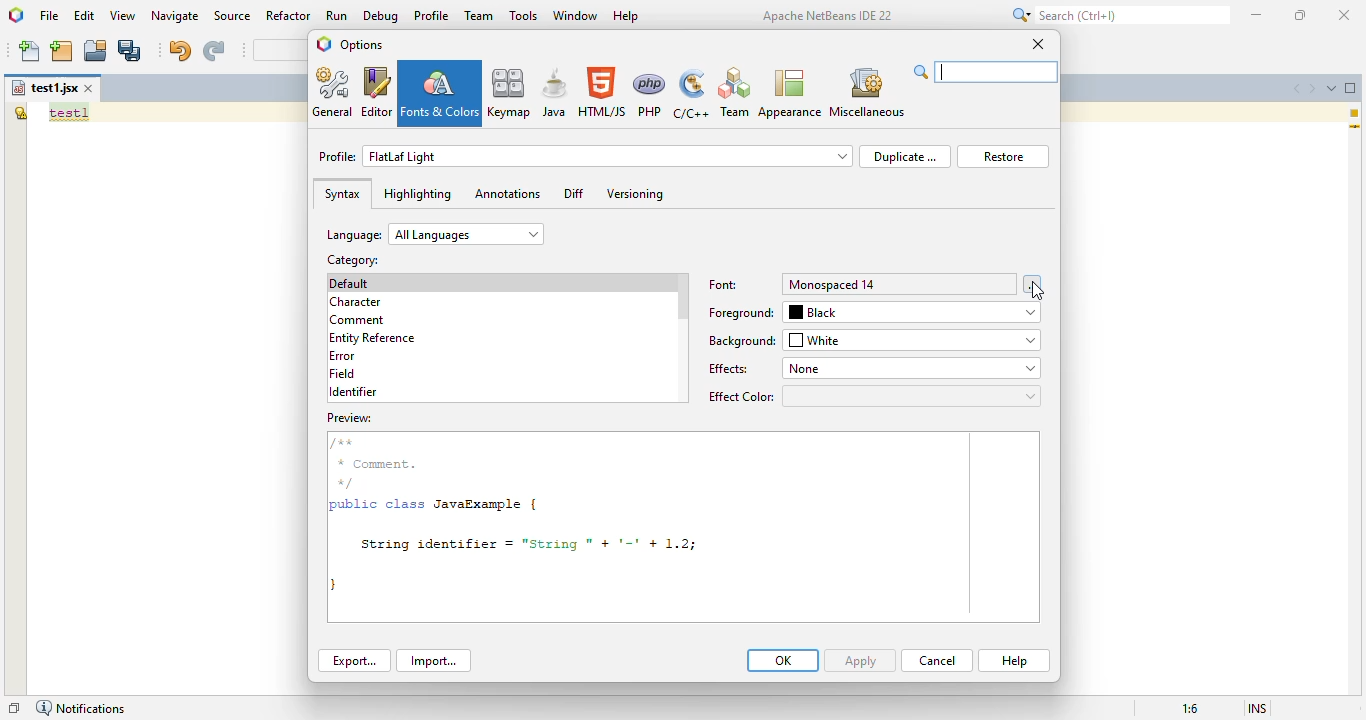  I want to click on entity reference, so click(377, 337).